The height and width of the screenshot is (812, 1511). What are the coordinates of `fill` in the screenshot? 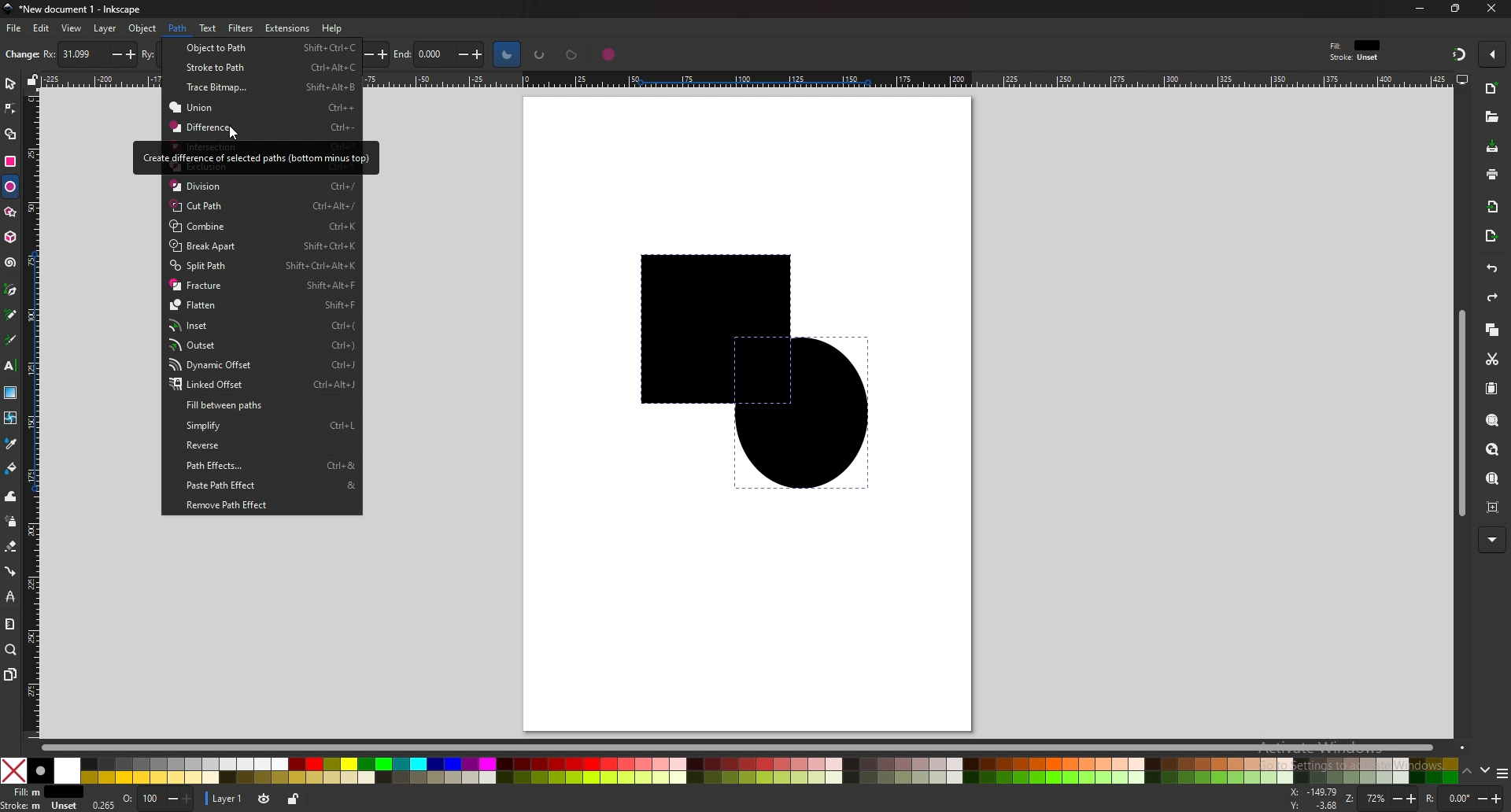 It's located at (42, 792).